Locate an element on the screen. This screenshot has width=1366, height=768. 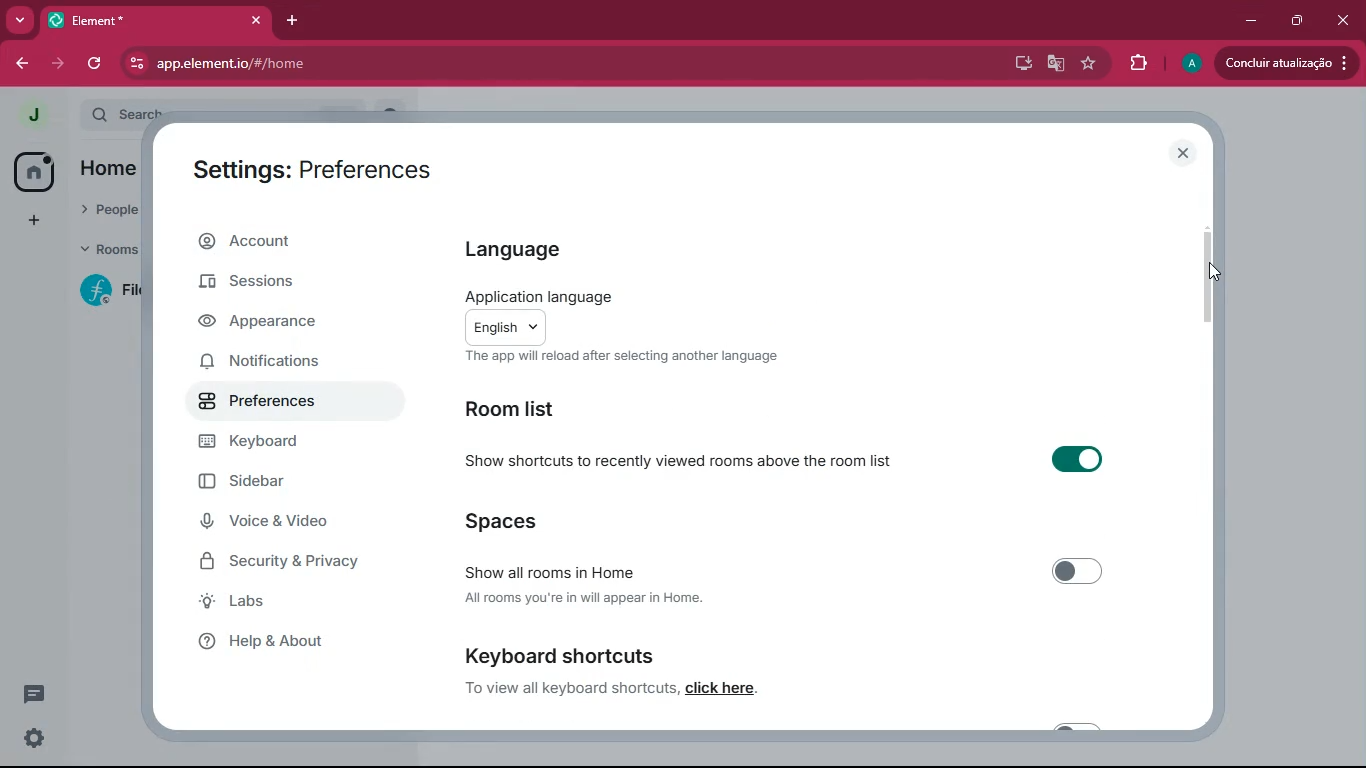
settings is located at coordinates (36, 738).